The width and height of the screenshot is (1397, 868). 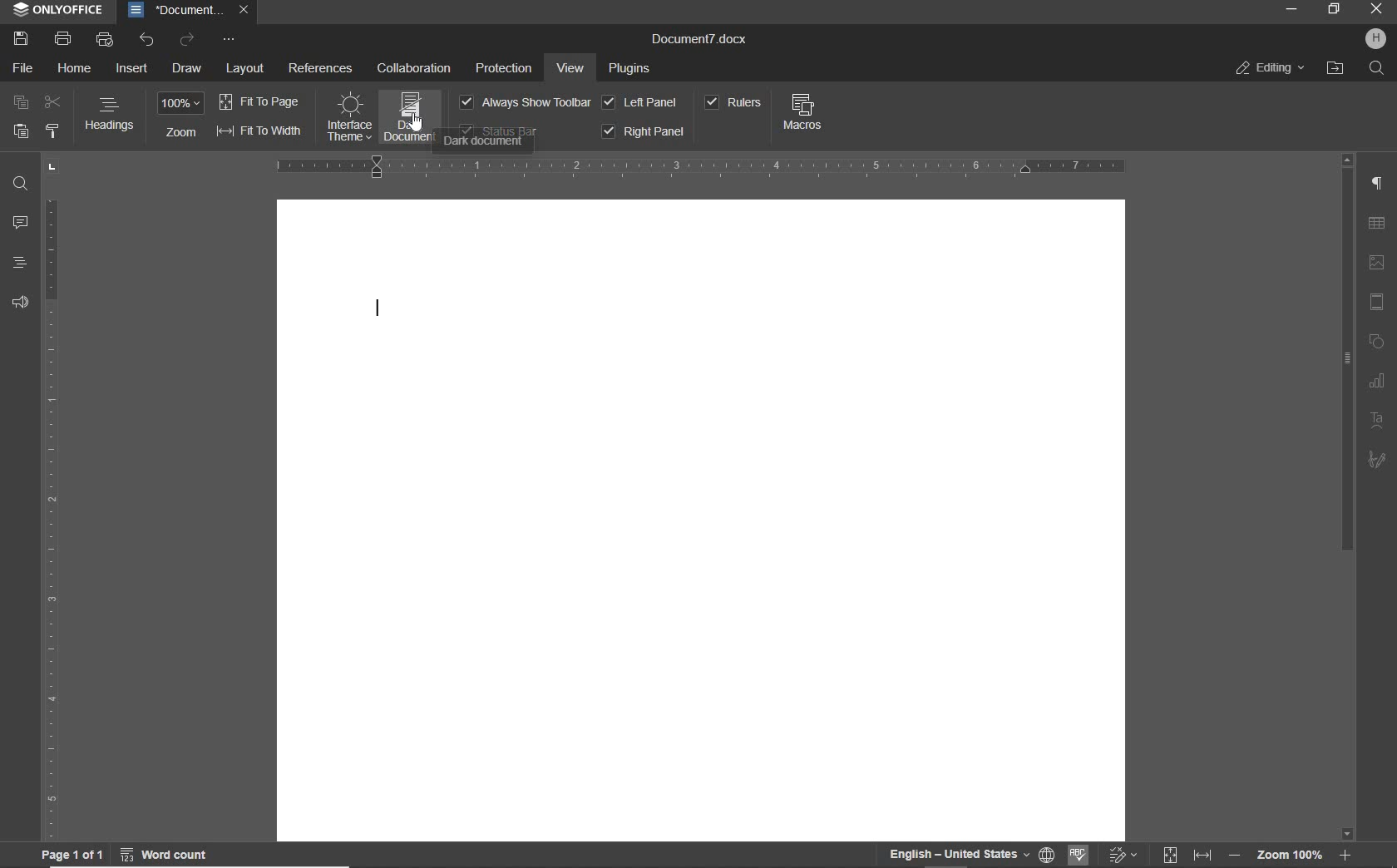 What do you see at coordinates (1079, 854) in the screenshot?
I see `SPELL CHECKING` at bounding box center [1079, 854].